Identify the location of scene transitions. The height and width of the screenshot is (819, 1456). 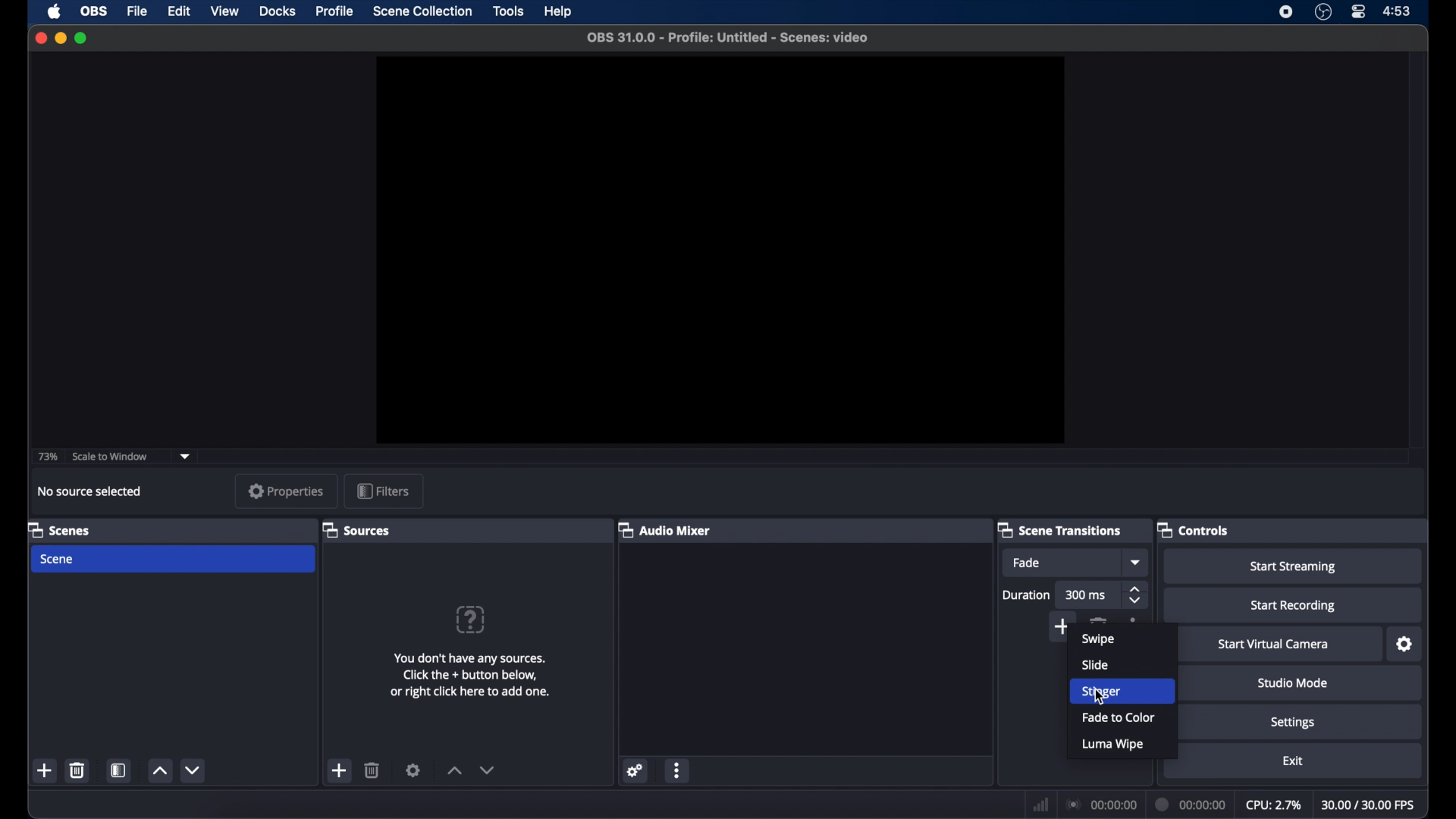
(1060, 529).